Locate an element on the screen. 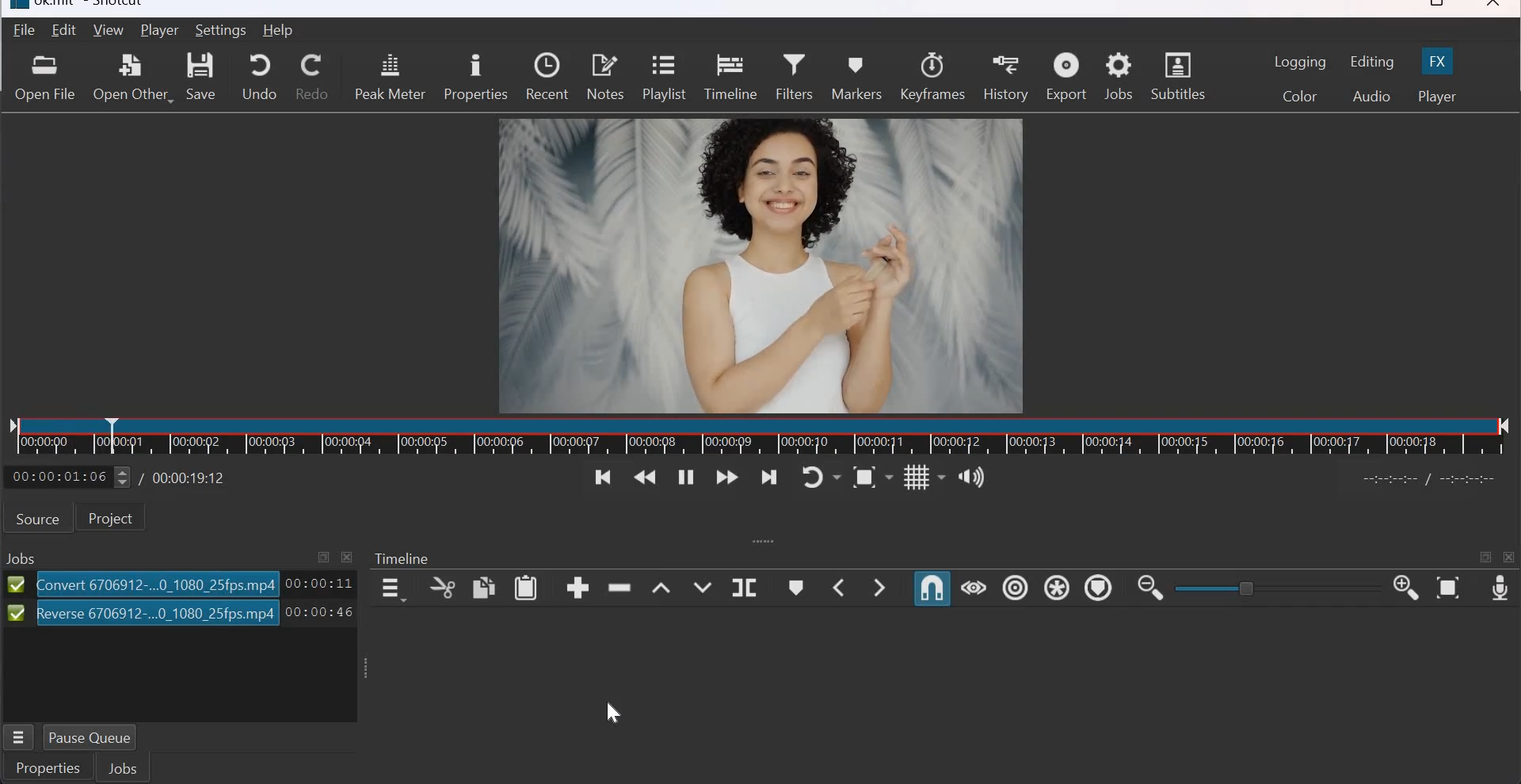  Play quickly forwards is located at coordinates (727, 479).